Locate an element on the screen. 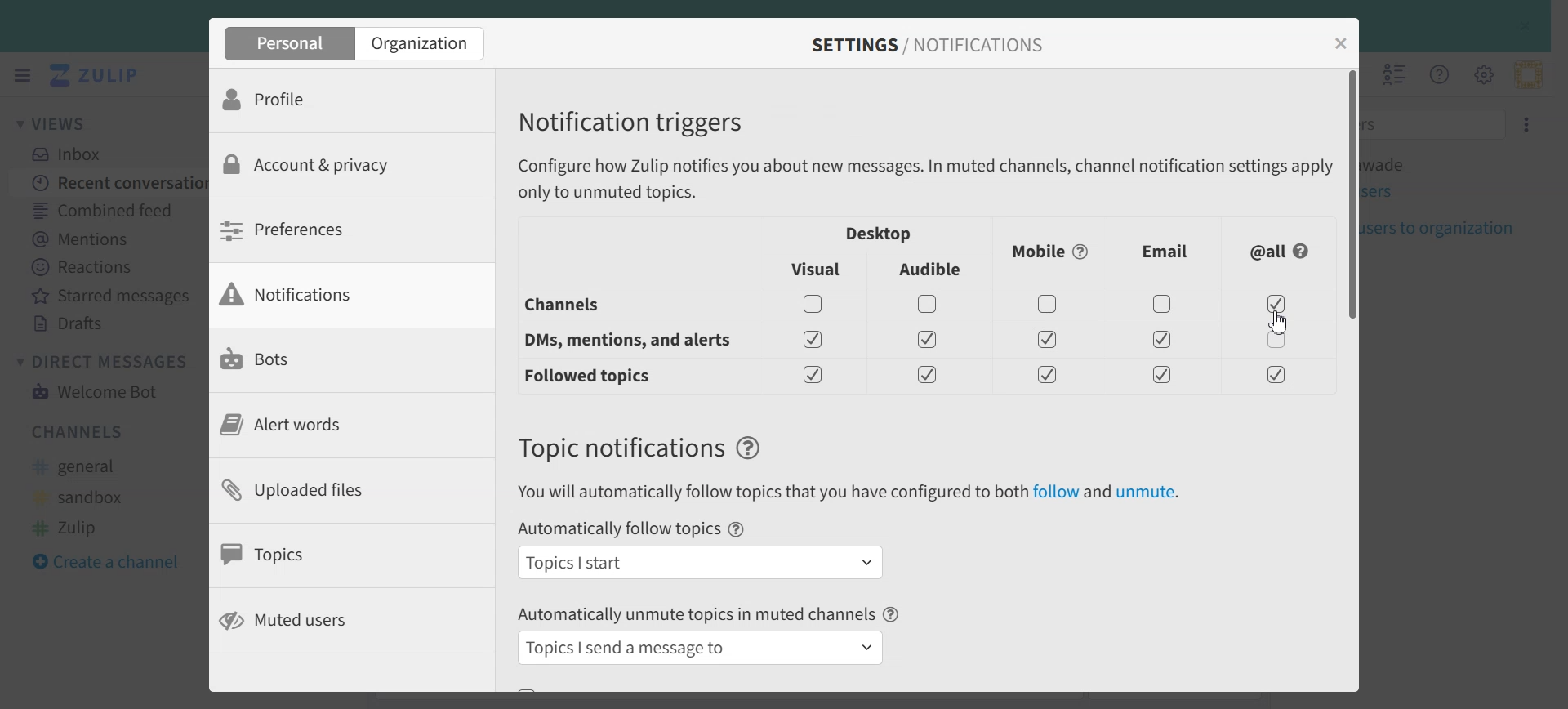 The image size is (1568, 709). Combined Feed is located at coordinates (107, 209).